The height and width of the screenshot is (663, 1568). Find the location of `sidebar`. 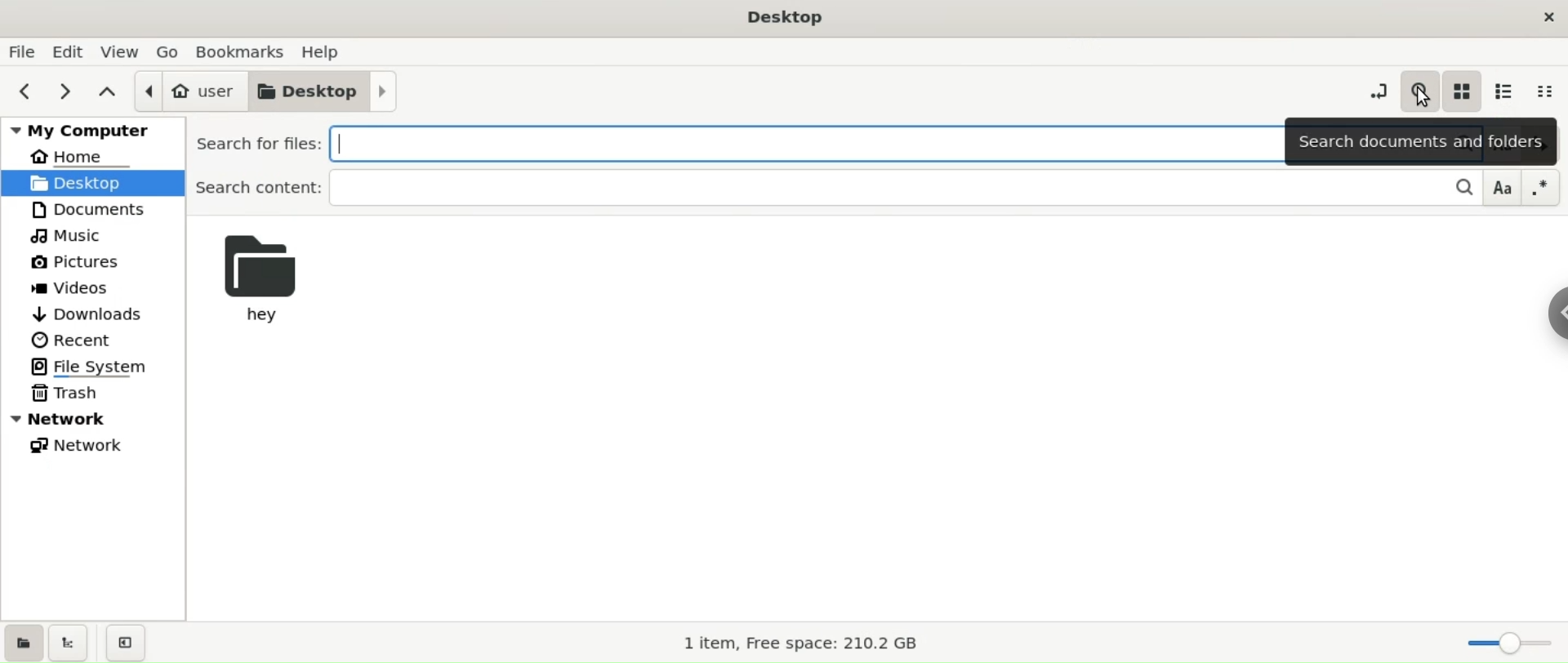

sidebar is located at coordinates (1543, 322).